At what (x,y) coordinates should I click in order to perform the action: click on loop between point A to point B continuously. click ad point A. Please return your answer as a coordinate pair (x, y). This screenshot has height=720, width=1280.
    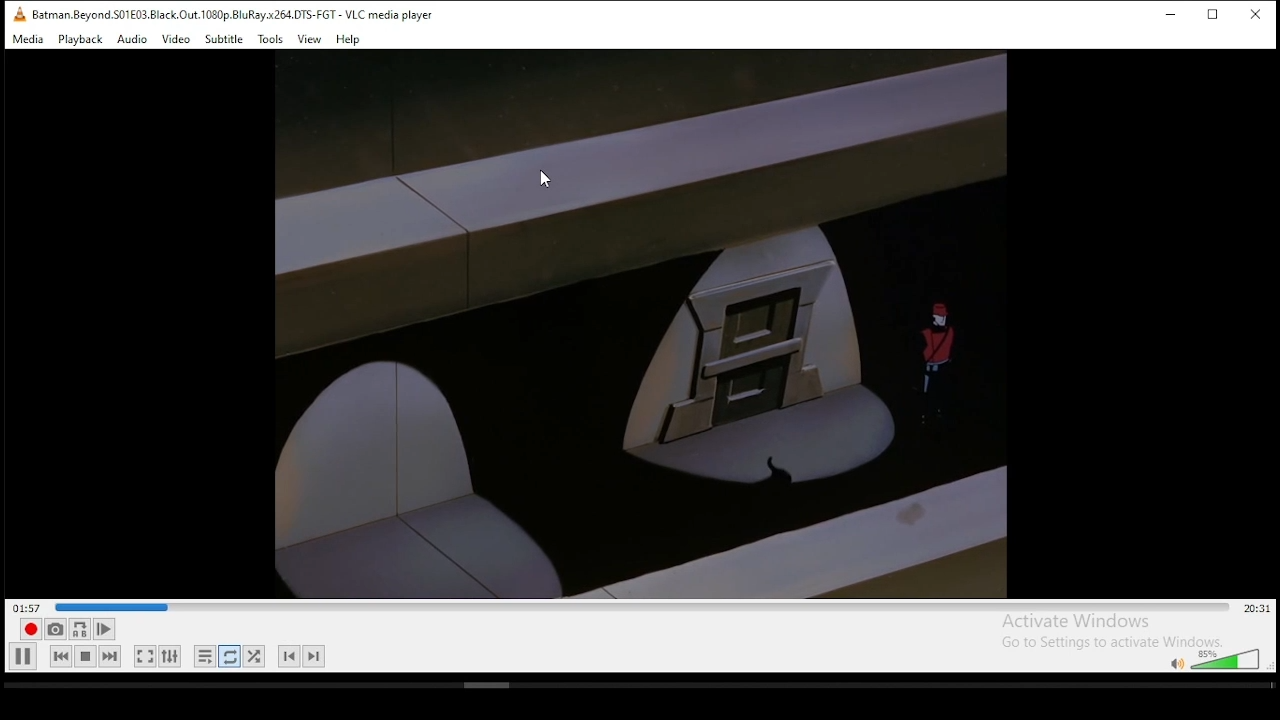
    Looking at the image, I should click on (80, 629).